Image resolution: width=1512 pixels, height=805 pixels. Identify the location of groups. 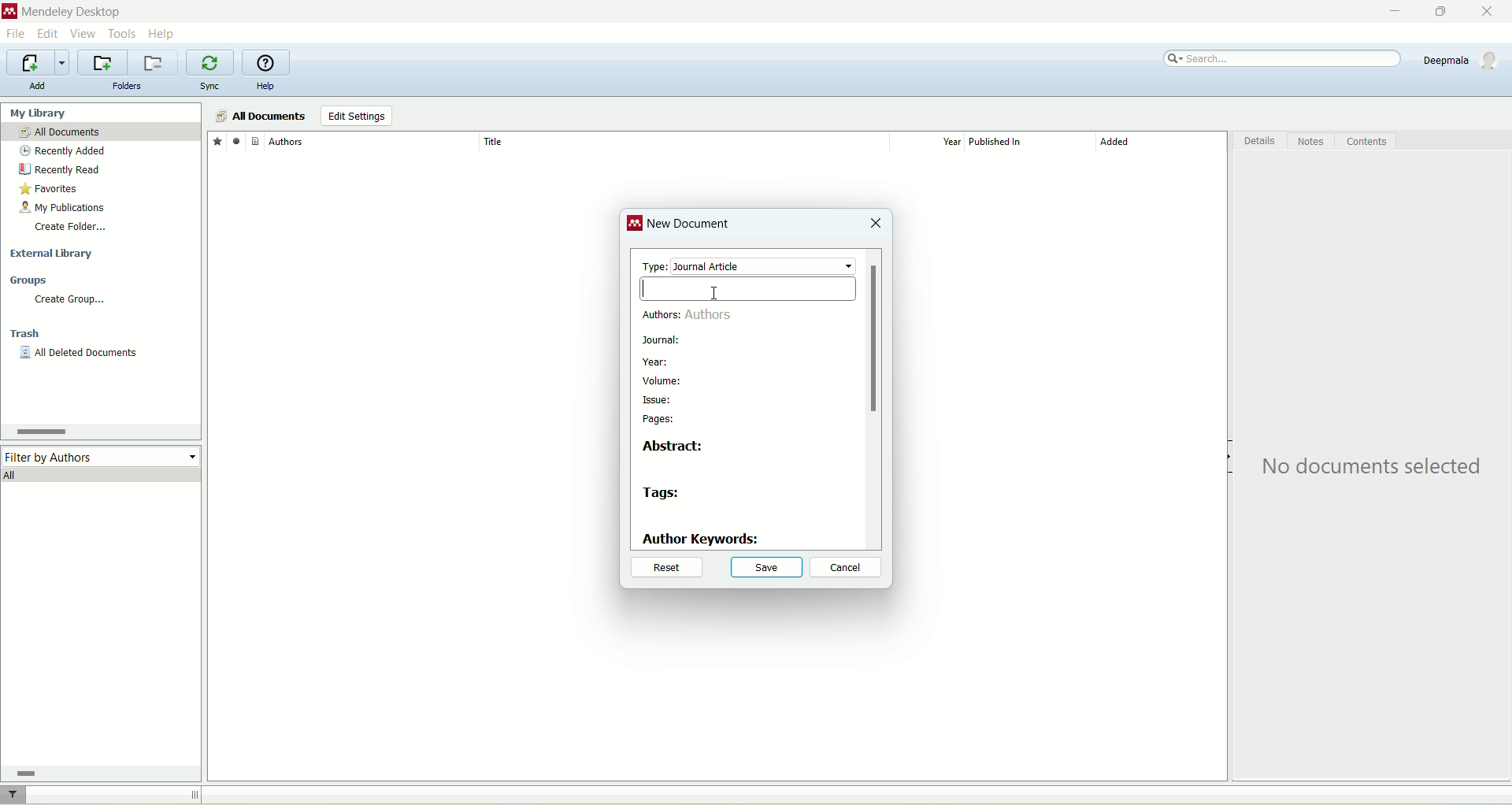
(30, 281).